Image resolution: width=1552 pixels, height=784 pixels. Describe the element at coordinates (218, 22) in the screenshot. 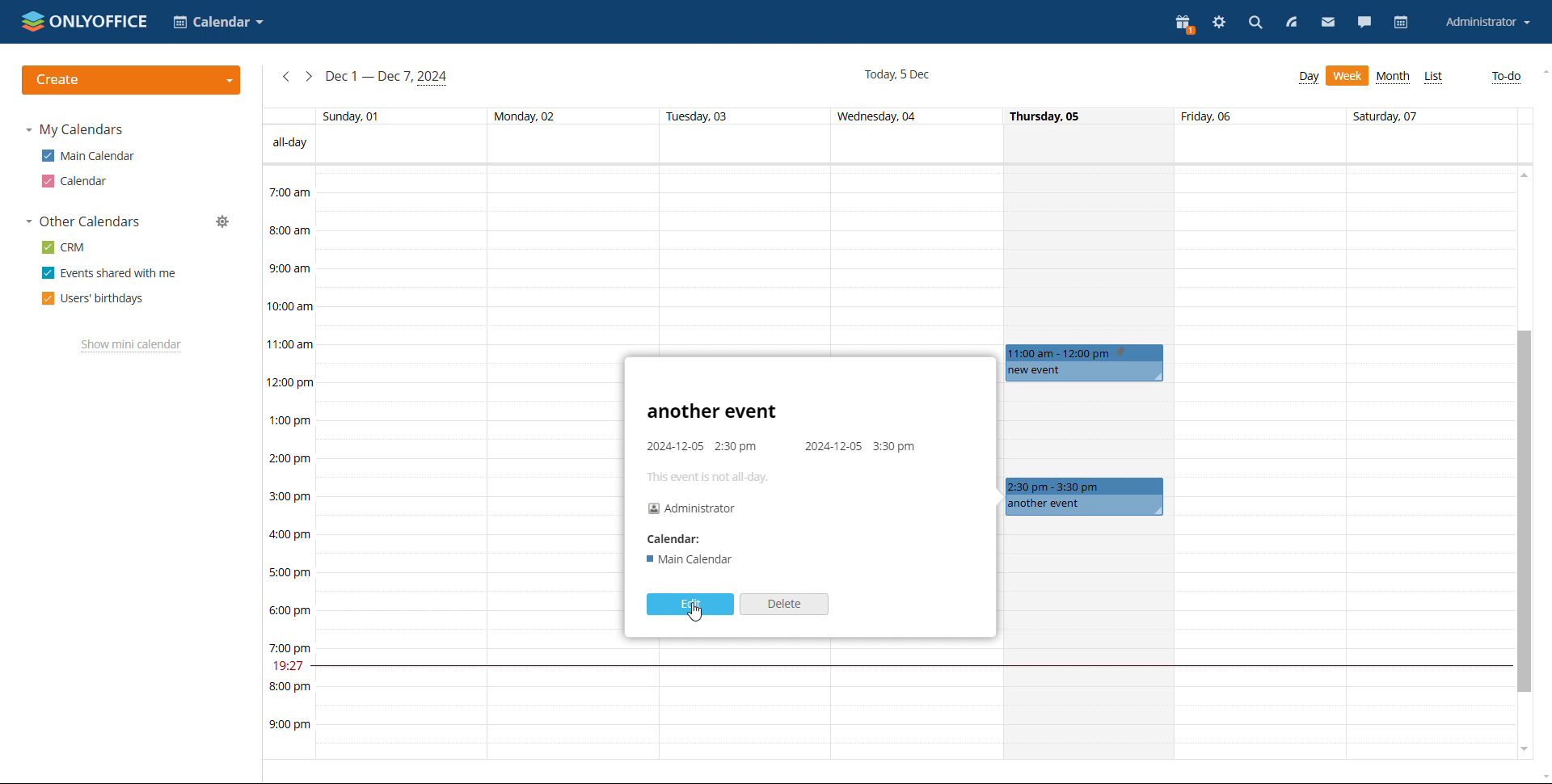

I see `select calendar` at that location.